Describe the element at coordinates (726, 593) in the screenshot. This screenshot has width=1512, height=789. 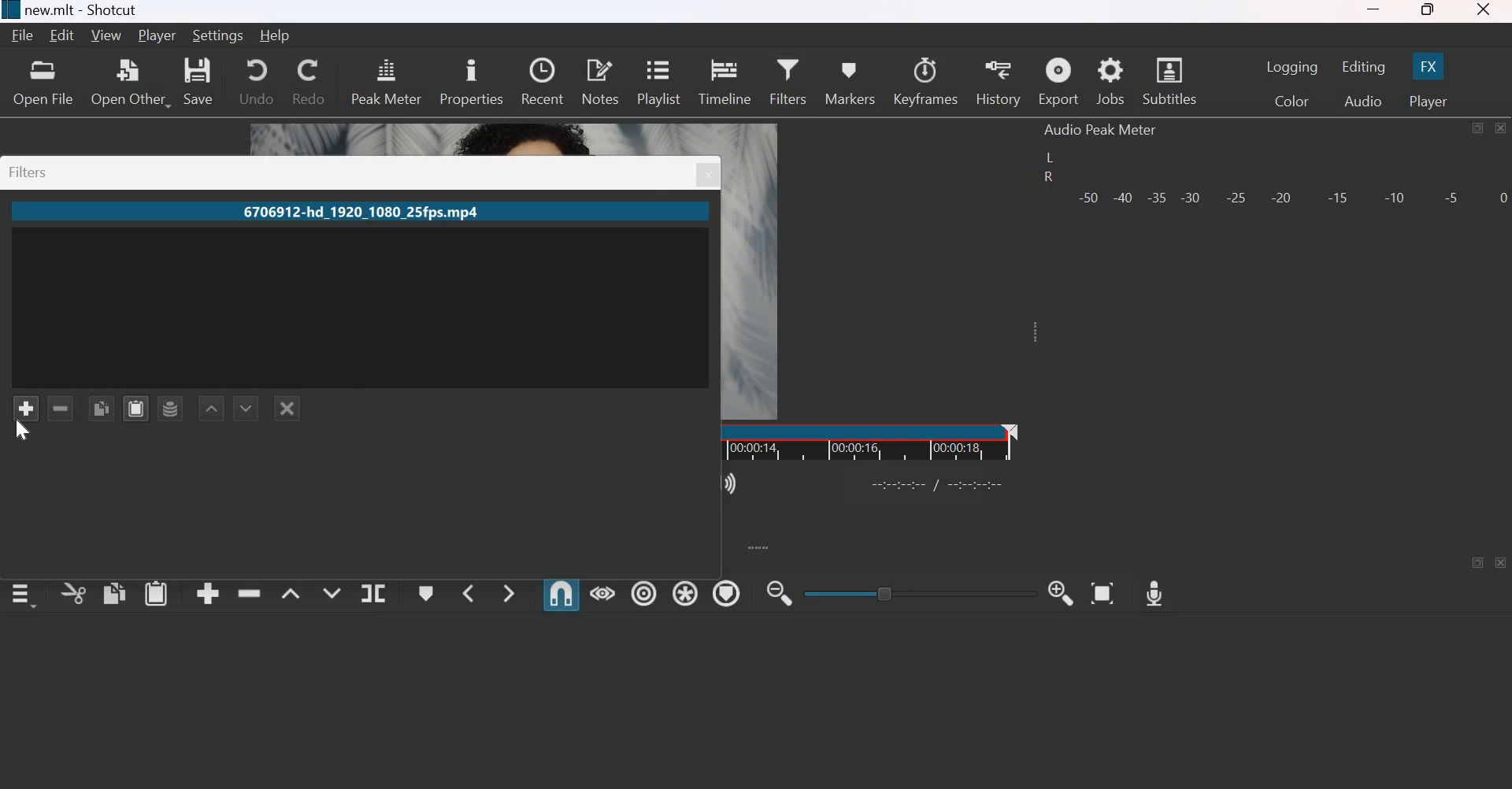
I see `Ripple Markers` at that location.